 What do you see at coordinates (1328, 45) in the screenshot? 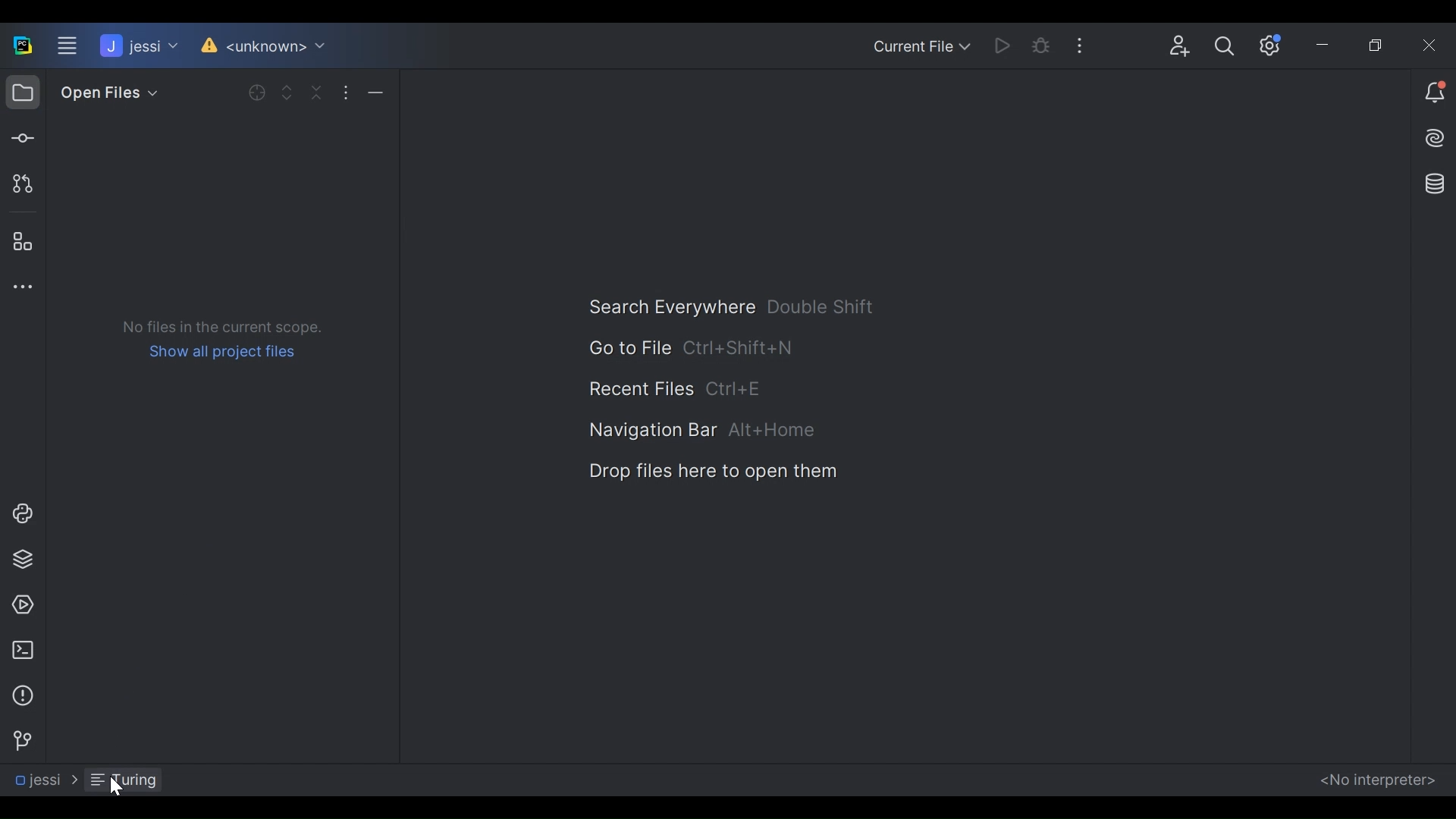
I see `Minimize` at bounding box center [1328, 45].